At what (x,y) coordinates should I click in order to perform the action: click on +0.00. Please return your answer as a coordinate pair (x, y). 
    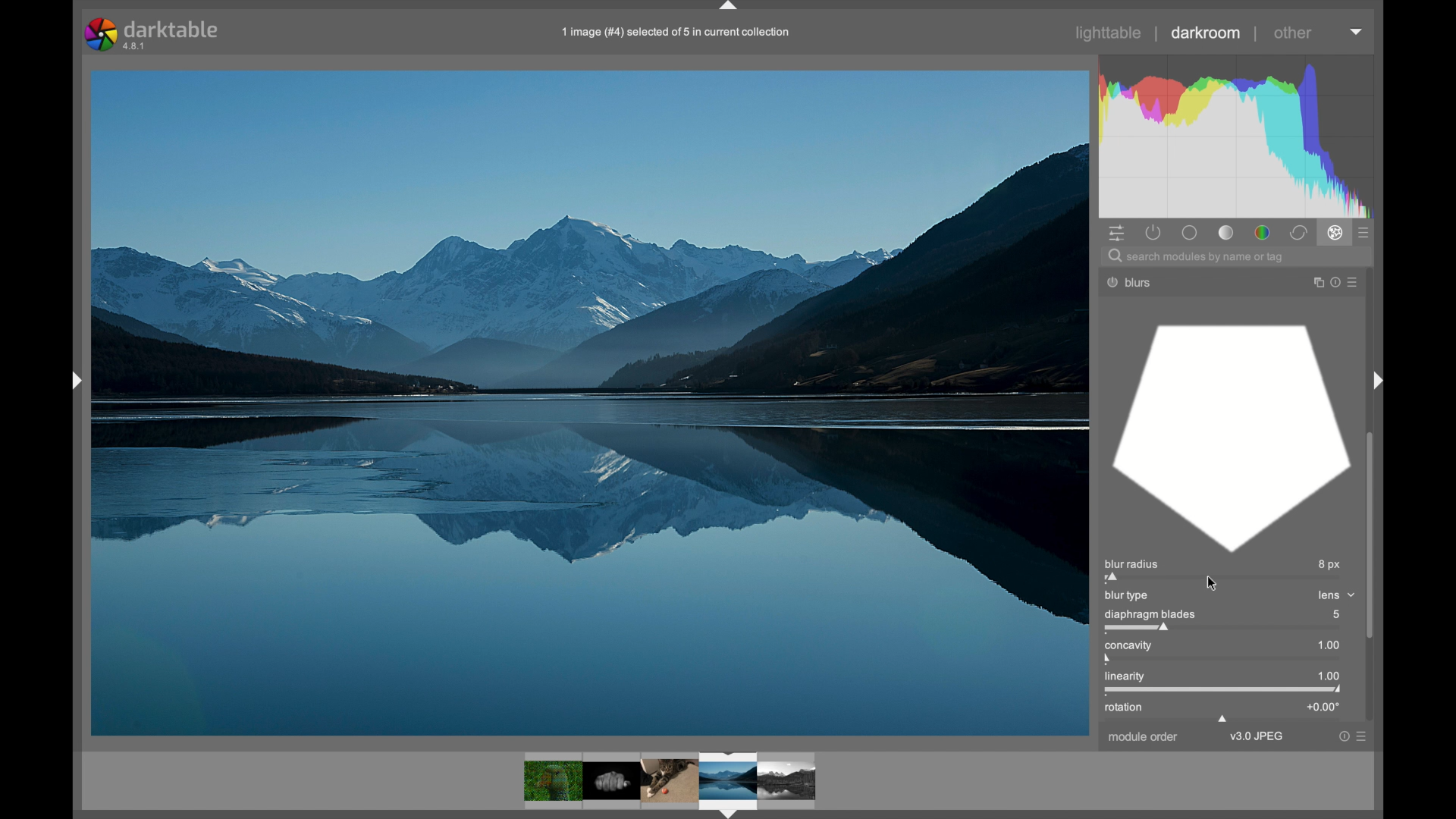
    Looking at the image, I should click on (1321, 707).